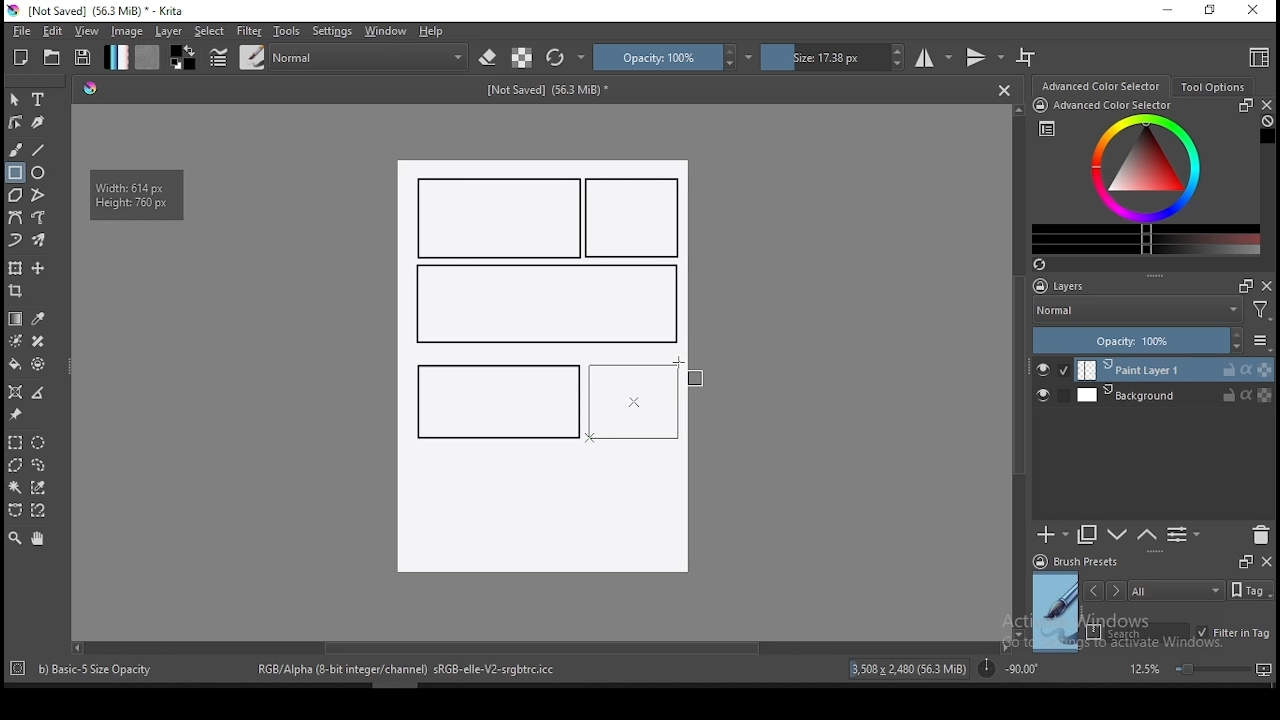 This screenshot has width=1280, height=720. Describe the element at coordinates (1175, 370) in the screenshot. I see `layer` at that location.